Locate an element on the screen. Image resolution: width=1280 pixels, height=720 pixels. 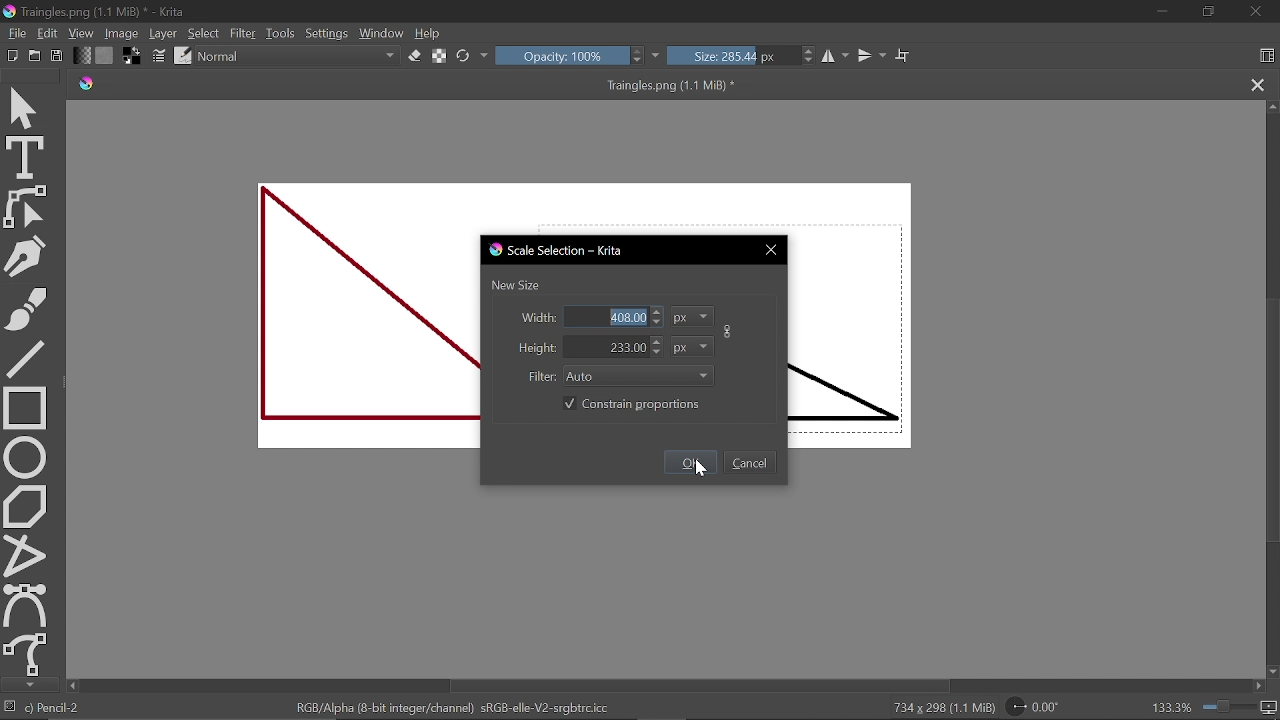
Size: 285.44 px is located at coordinates (742, 56).